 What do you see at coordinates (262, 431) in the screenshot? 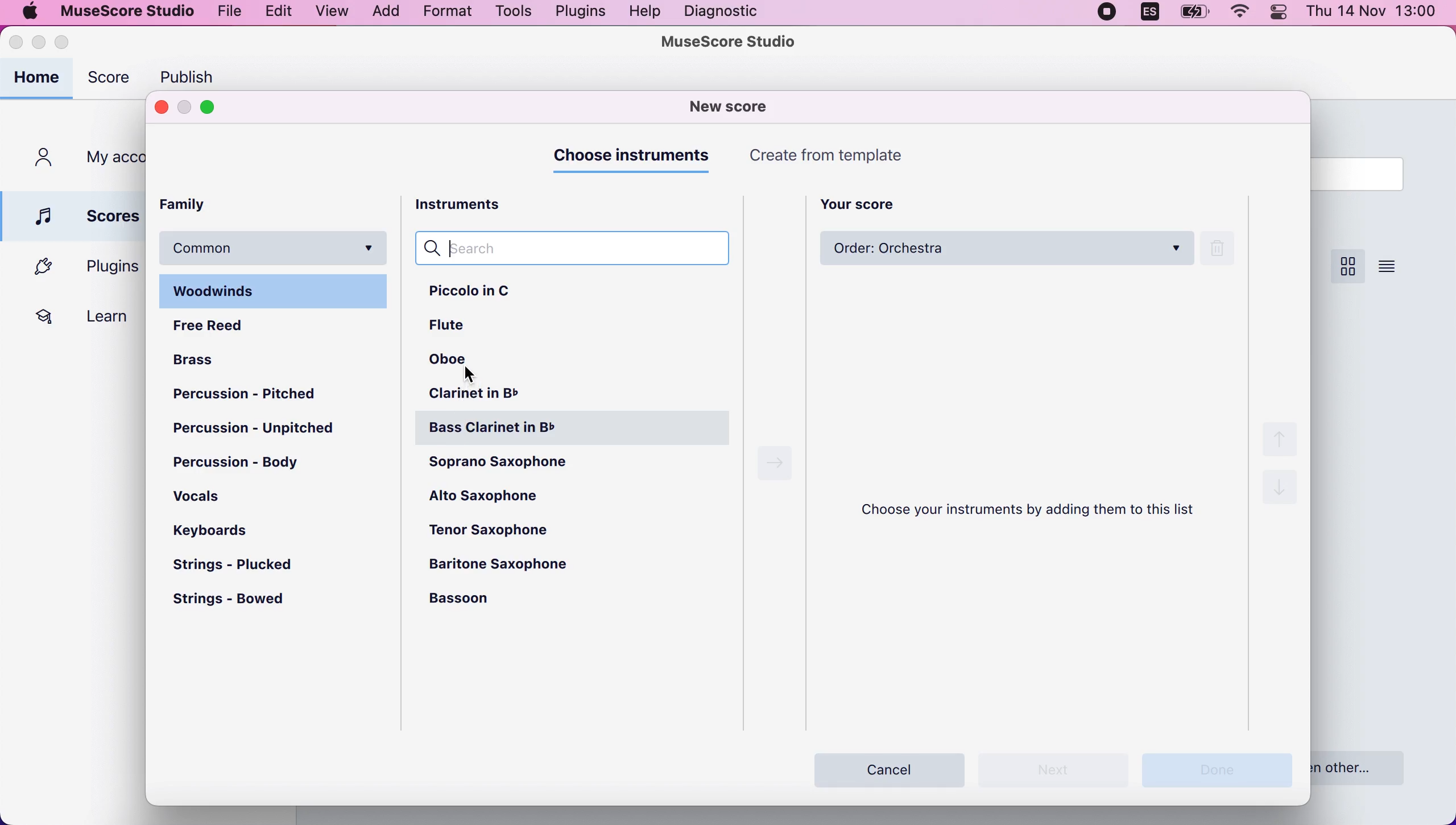
I see `percussion-unpitched` at bounding box center [262, 431].